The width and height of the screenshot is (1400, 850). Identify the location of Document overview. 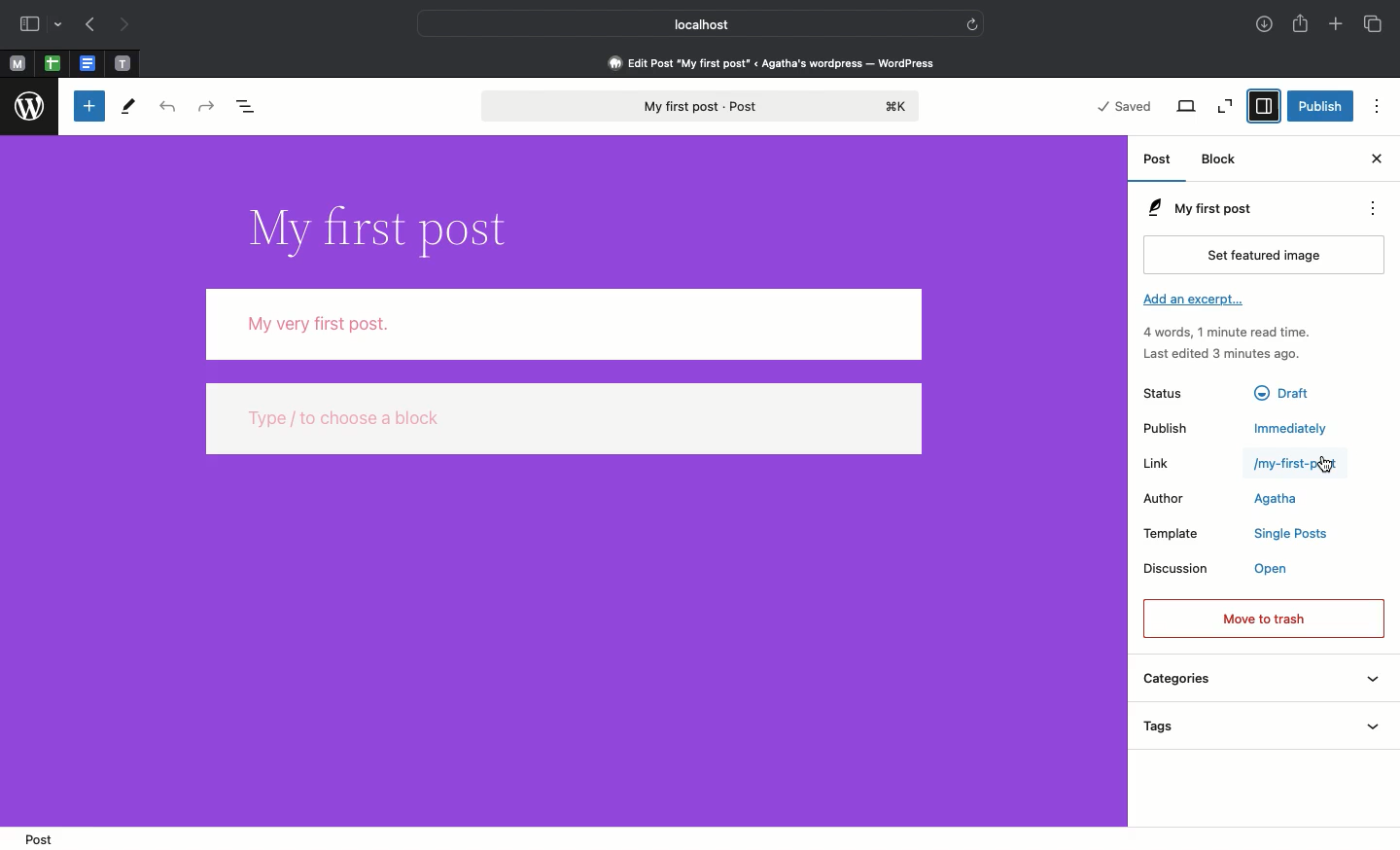
(250, 104).